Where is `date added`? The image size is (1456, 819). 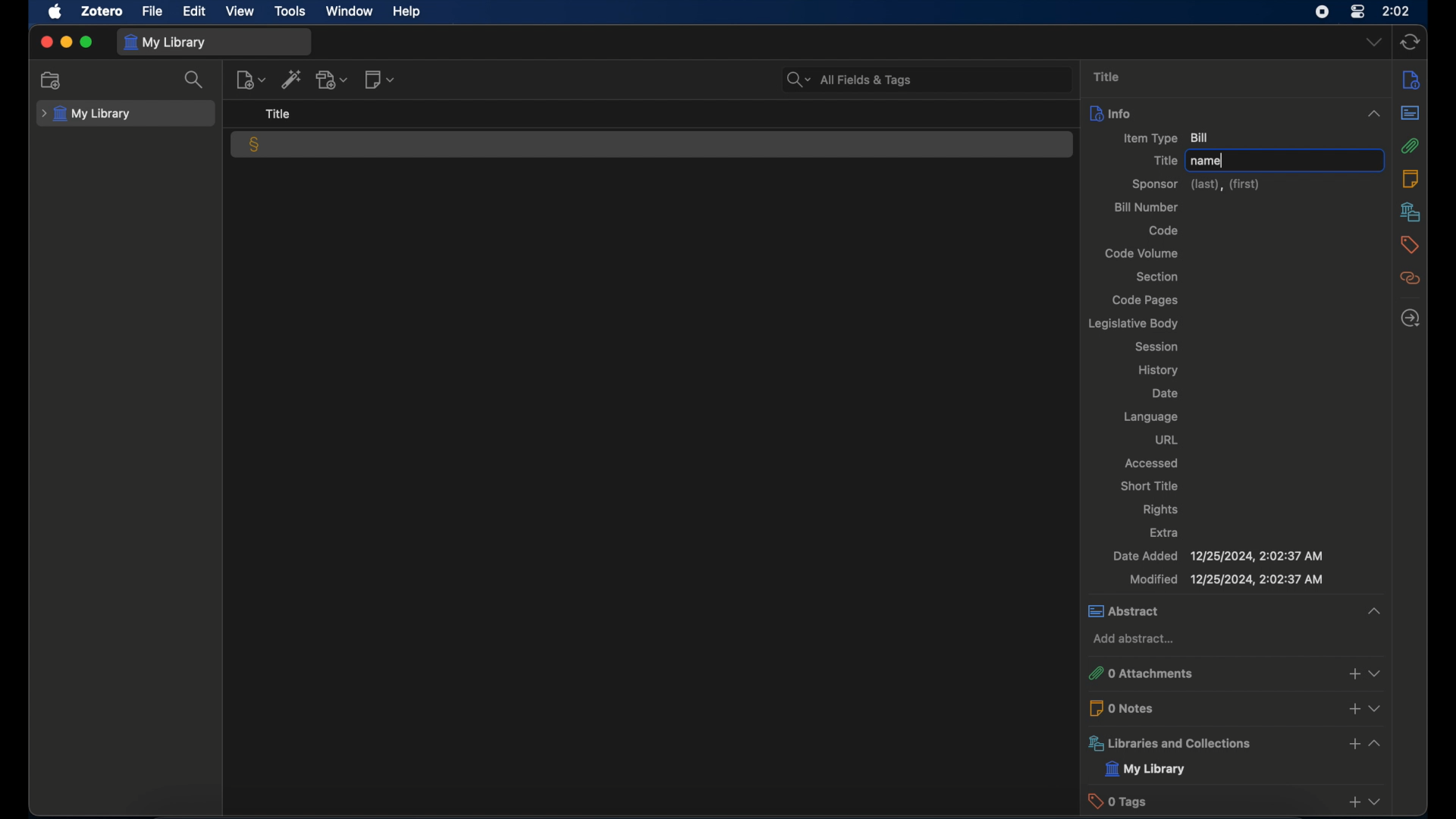
date added is located at coordinates (1216, 556).